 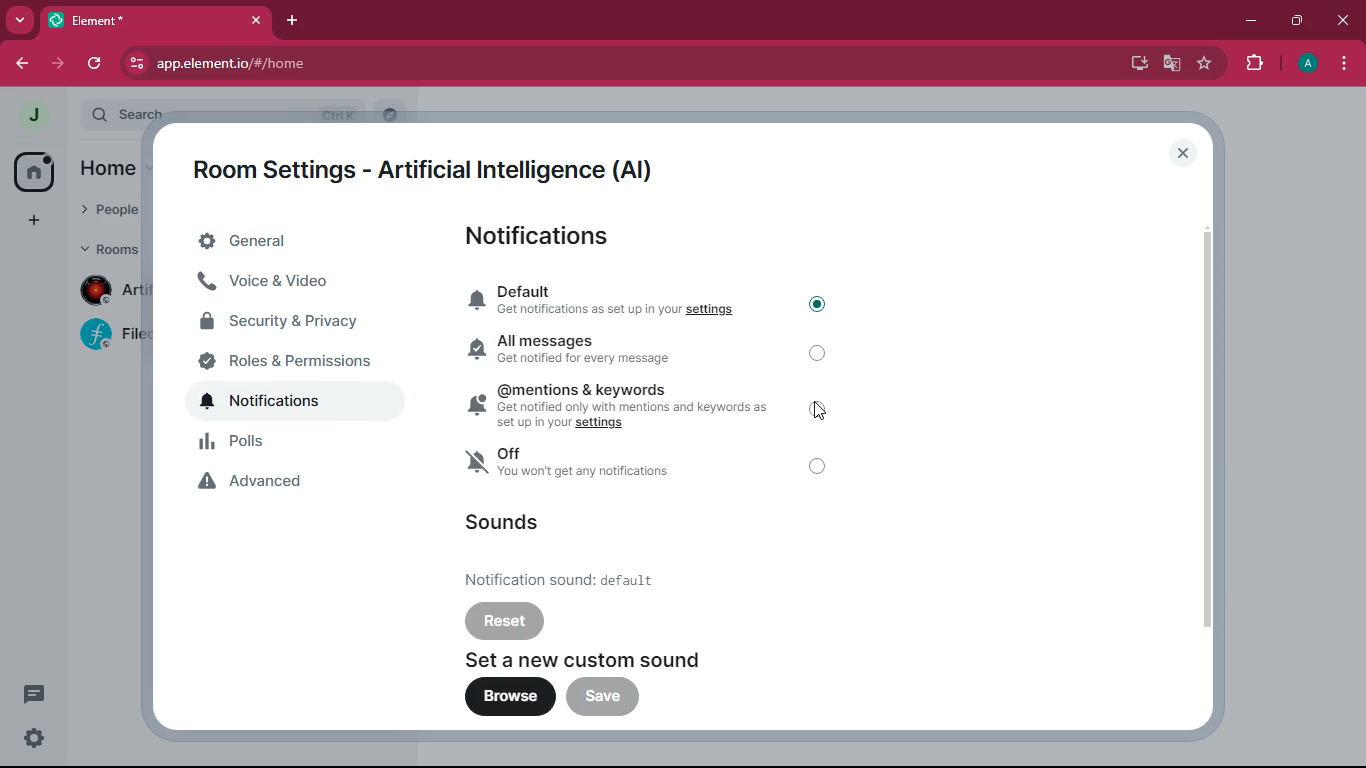 What do you see at coordinates (34, 740) in the screenshot?
I see `se` at bounding box center [34, 740].